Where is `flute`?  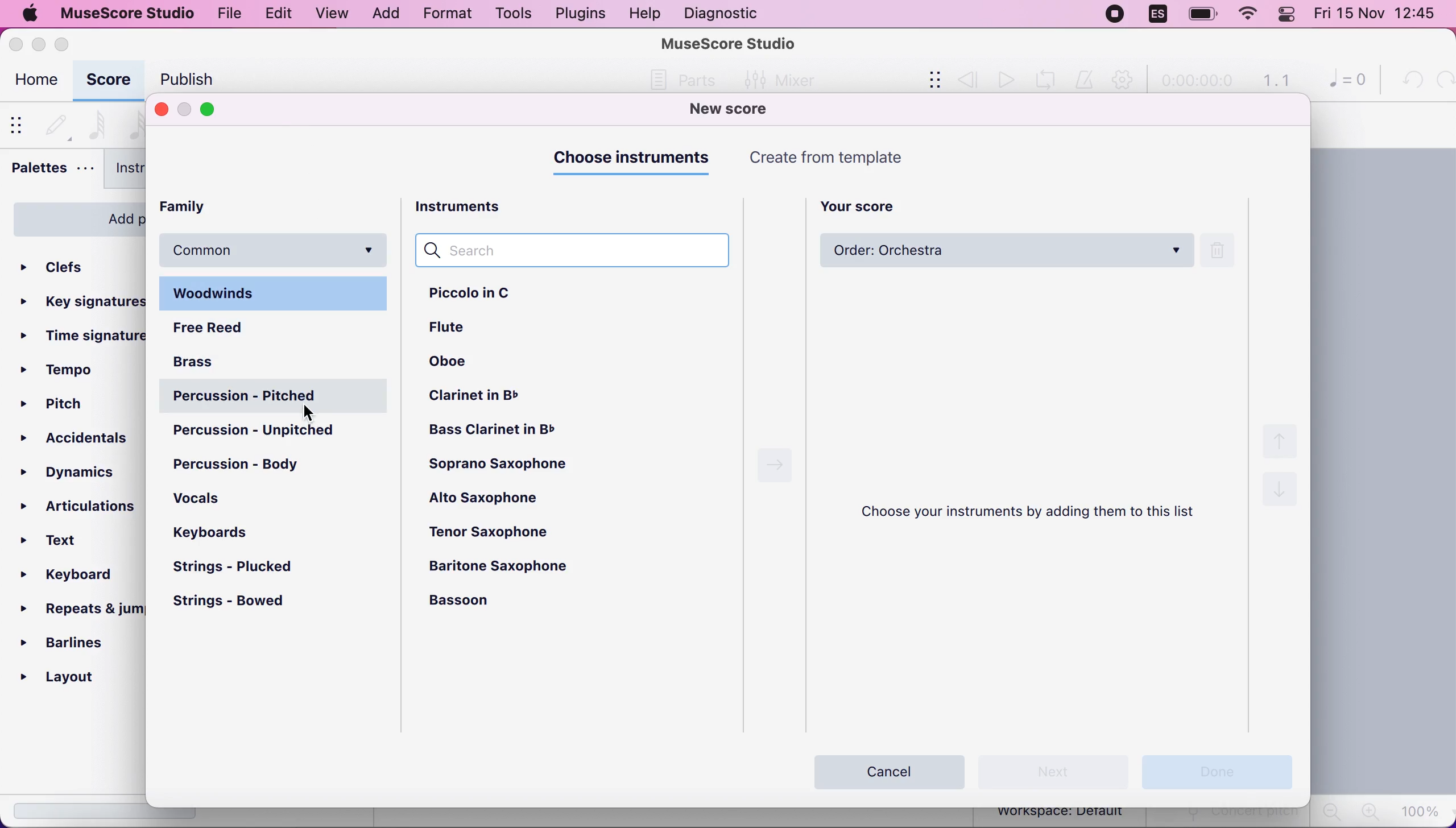
flute is located at coordinates (453, 328).